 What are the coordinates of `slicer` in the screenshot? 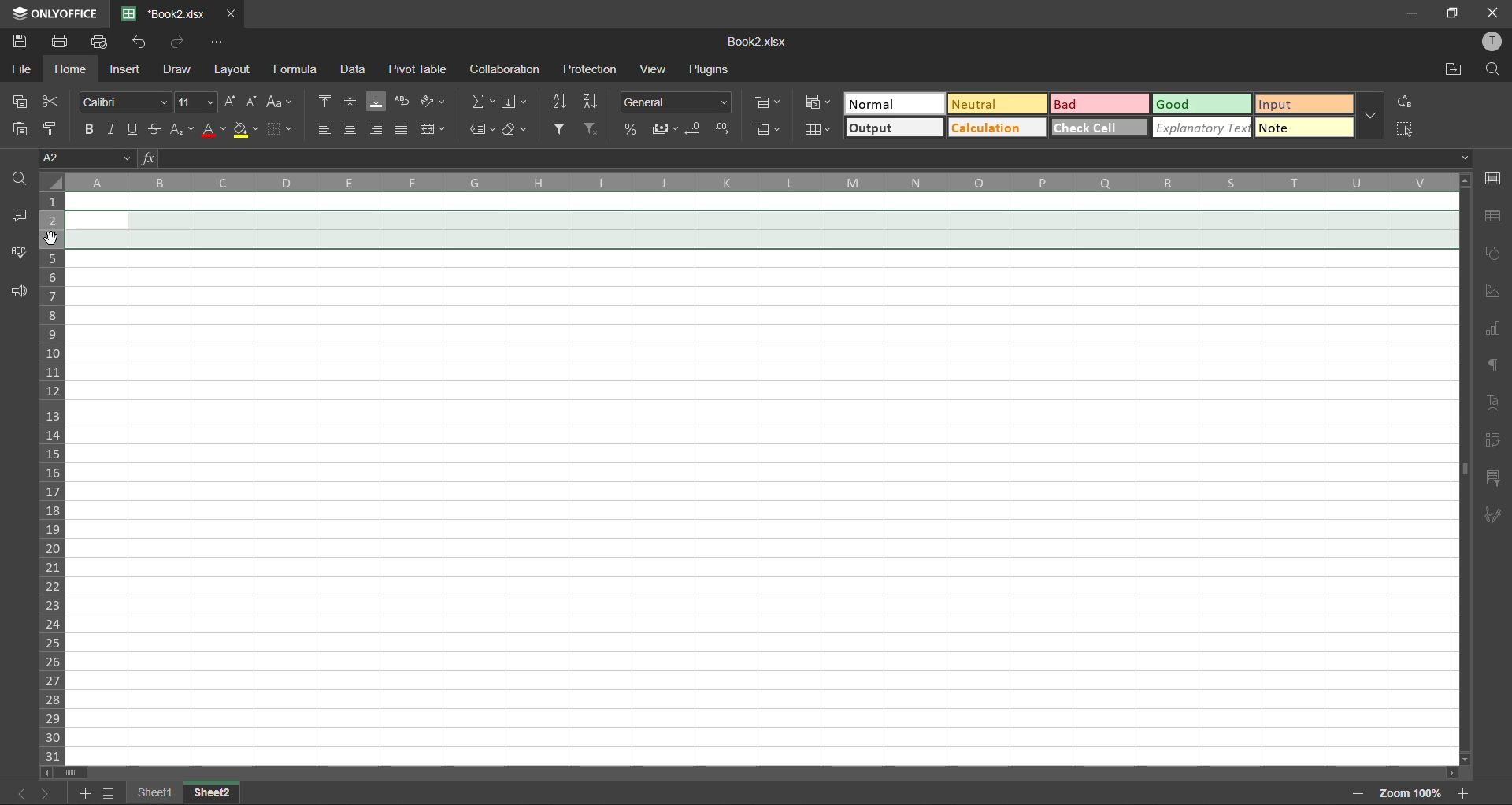 It's located at (1493, 478).